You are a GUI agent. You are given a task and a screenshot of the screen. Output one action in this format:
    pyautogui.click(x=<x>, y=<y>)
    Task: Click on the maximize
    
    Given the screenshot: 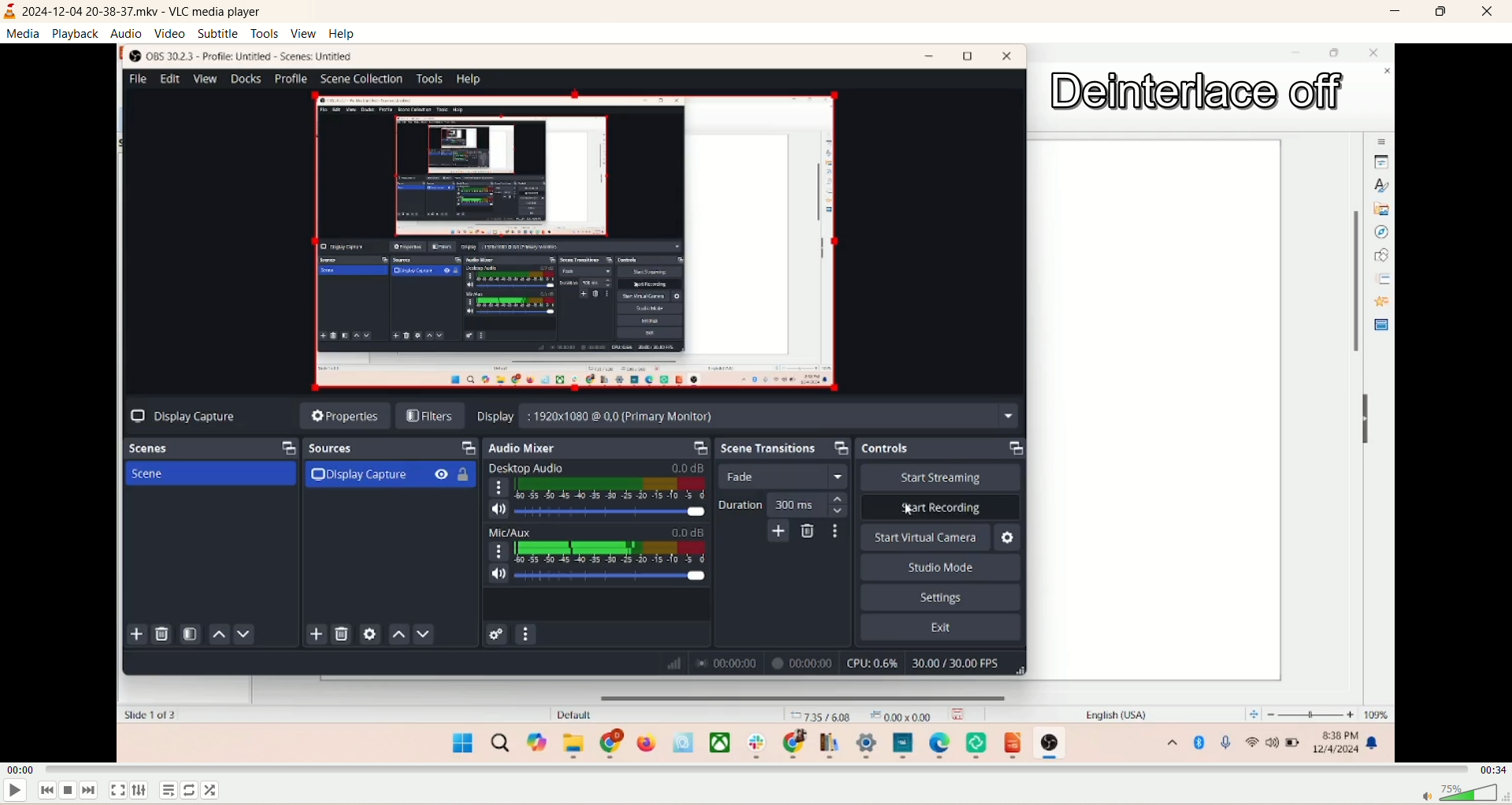 What is the action you would take?
    pyautogui.click(x=1439, y=13)
    